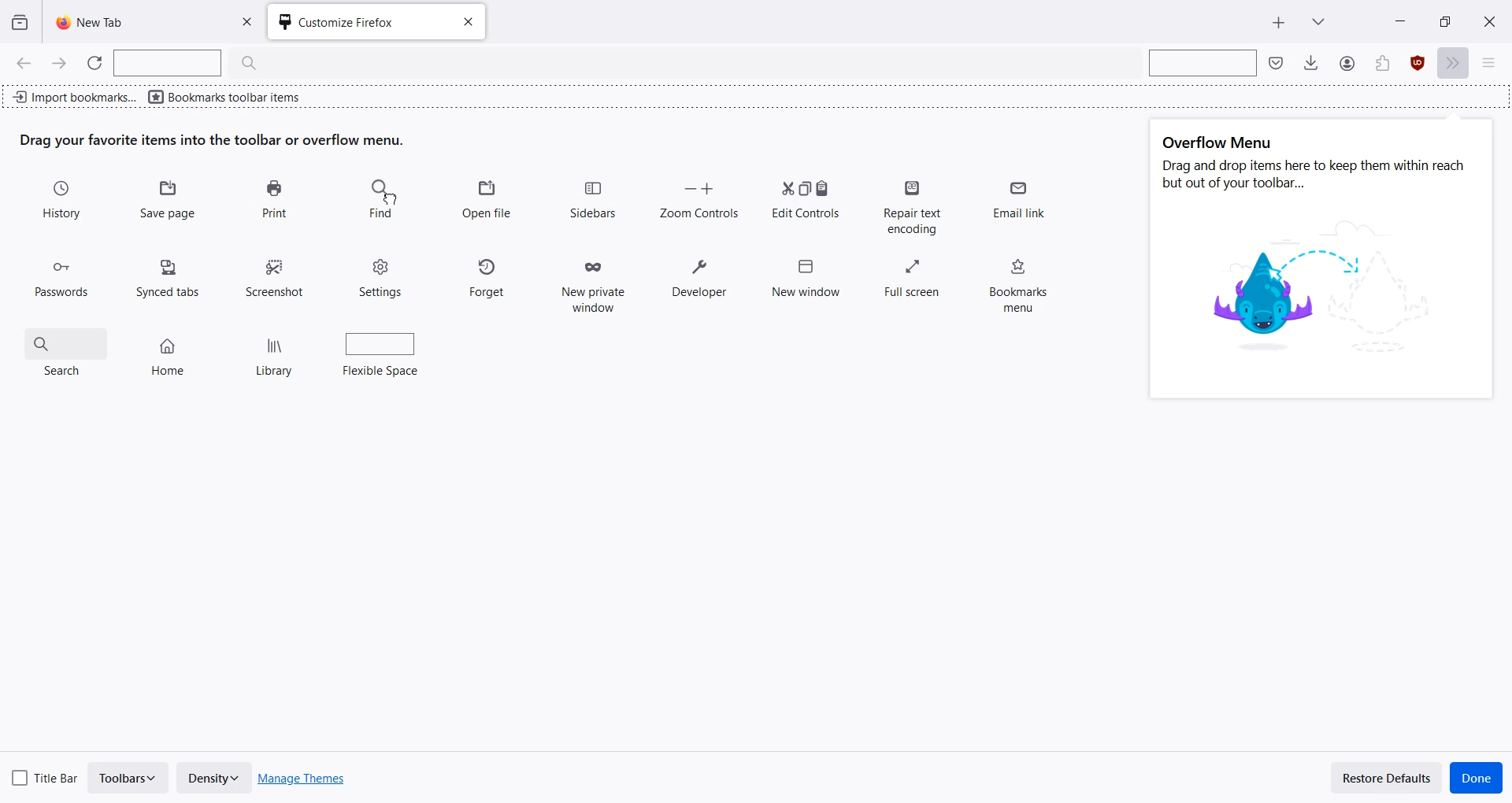  Describe the element at coordinates (1401, 20) in the screenshot. I see `Minimize` at that location.